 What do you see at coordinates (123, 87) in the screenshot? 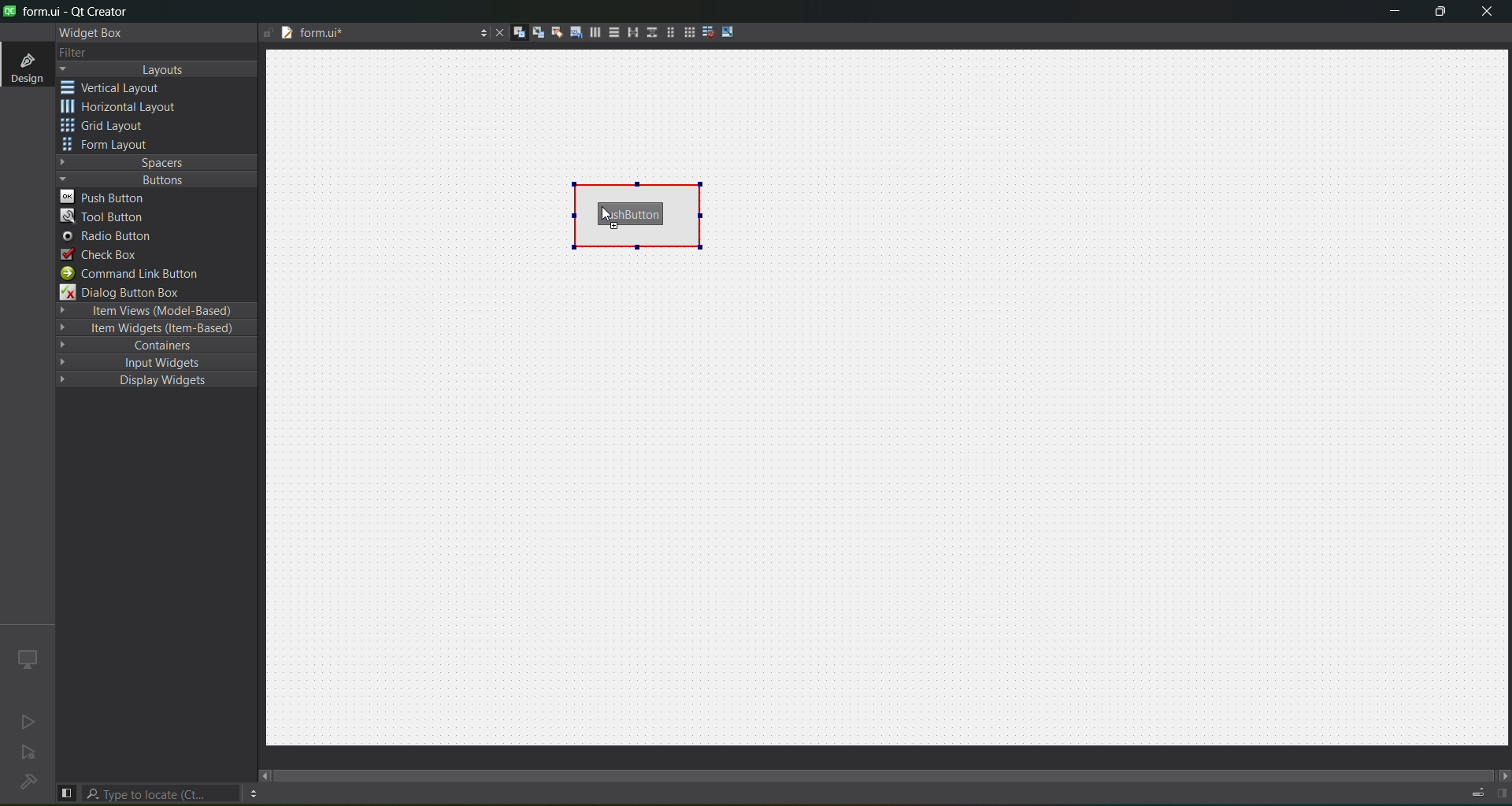
I see `vertical layout` at bounding box center [123, 87].